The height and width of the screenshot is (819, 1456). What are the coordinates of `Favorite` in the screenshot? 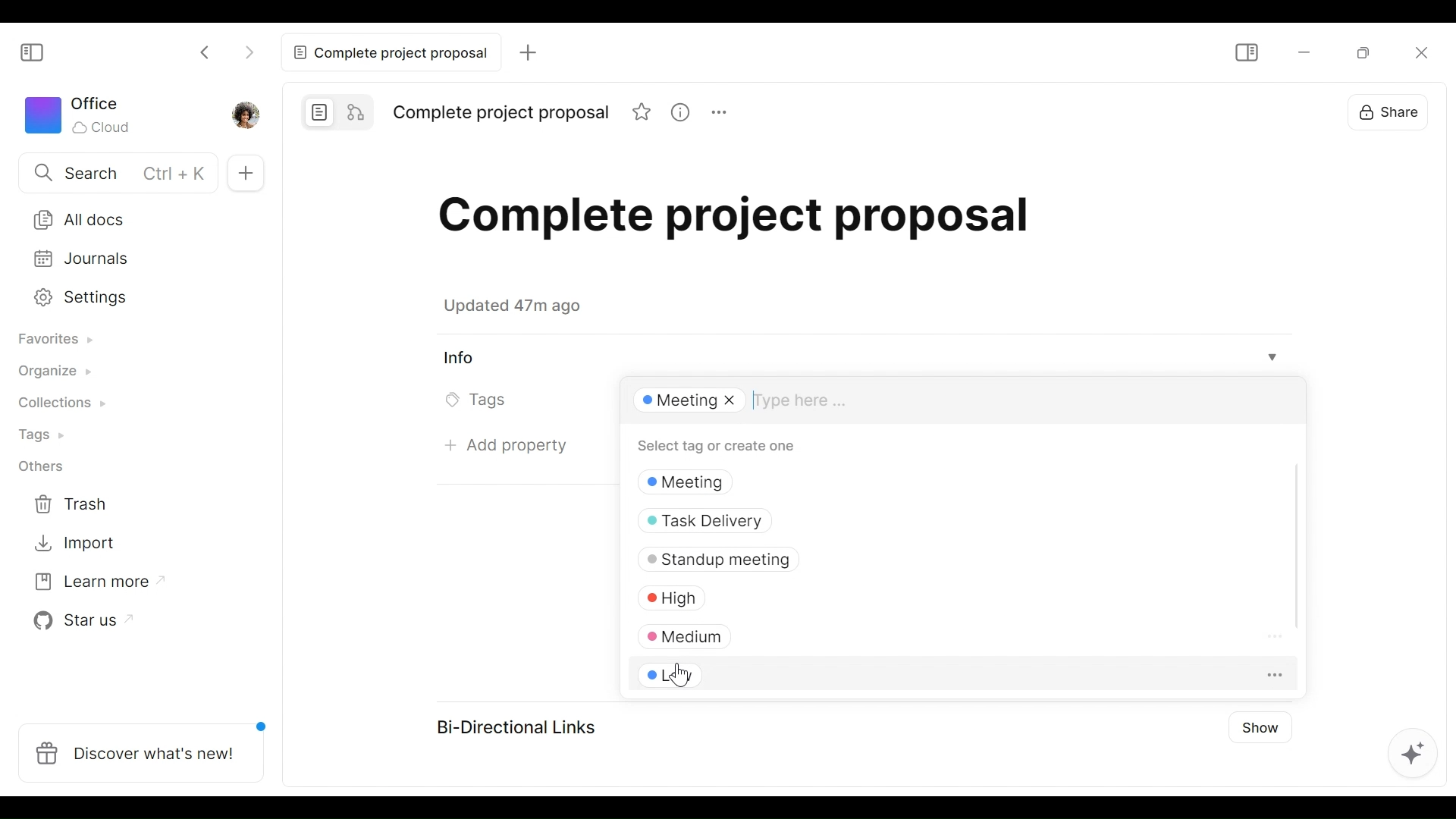 It's located at (642, 111).